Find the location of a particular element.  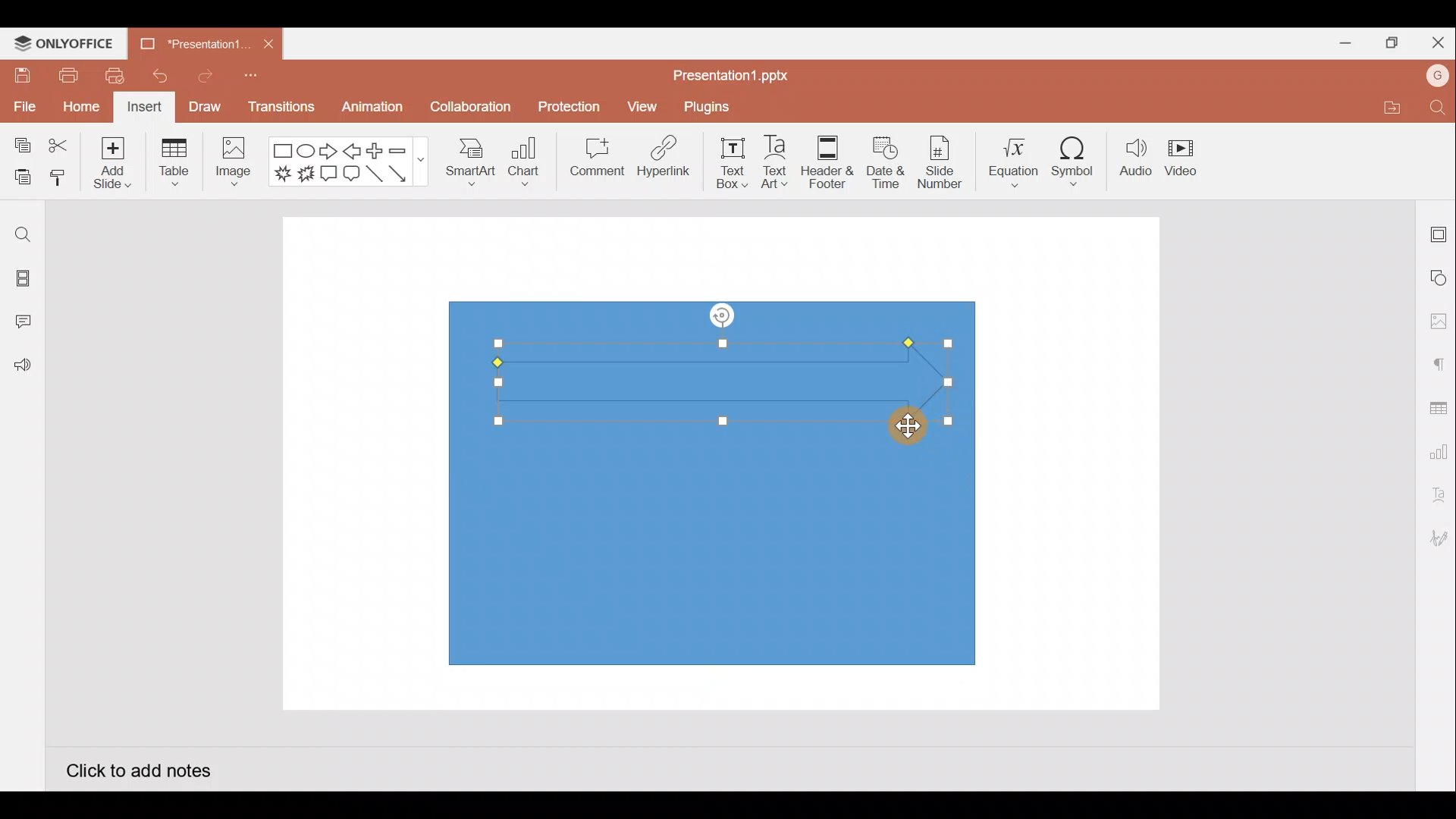

Cursor on rectangle shape is located at coordinates (909, 423).